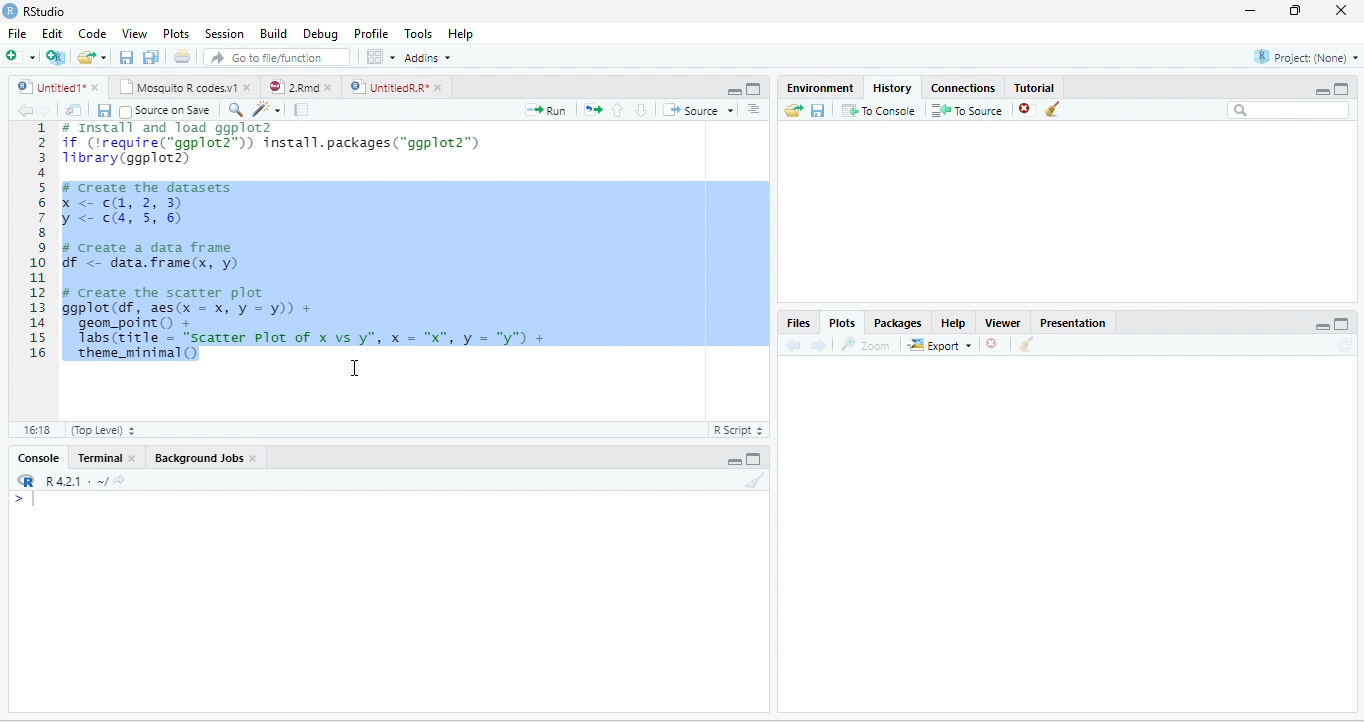  What do you see at coordinates (641, 110) in the screenshot?
I see `Go to next section/chunk` at bounding box center [641, 110].